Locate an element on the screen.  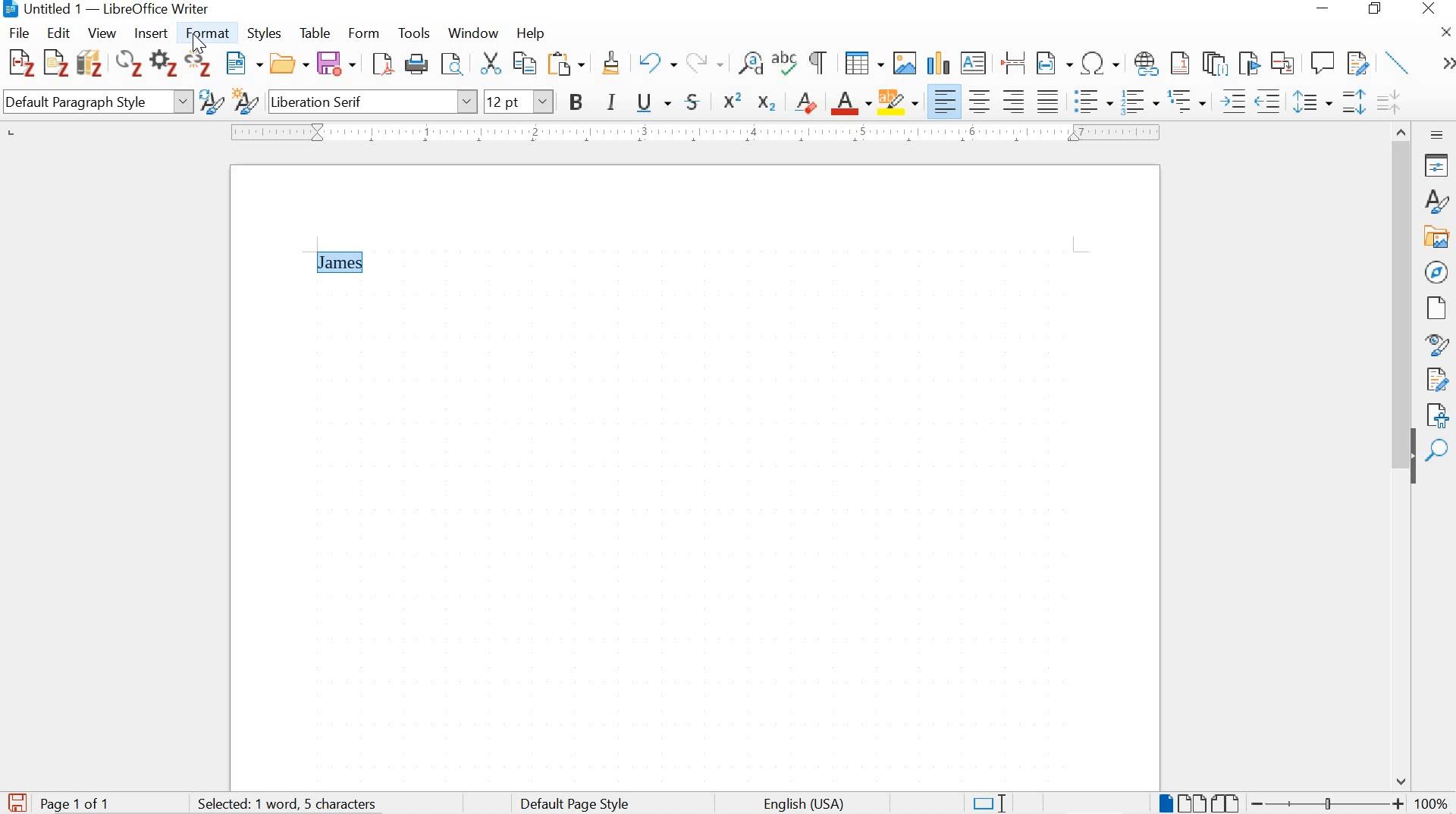
form is located at coordinates (365, 33).